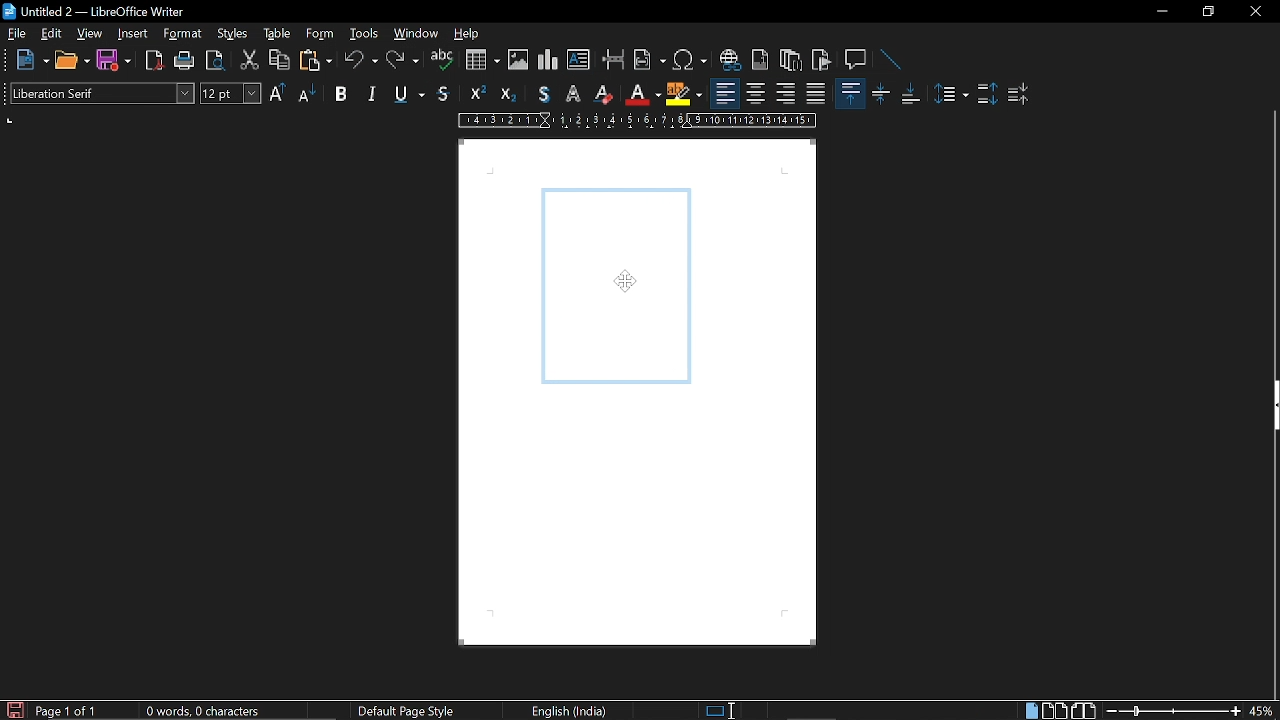 Image resolution: width=1280 pixels, height=720 pixels. I want to click on insert footnote, so click(761, 61).